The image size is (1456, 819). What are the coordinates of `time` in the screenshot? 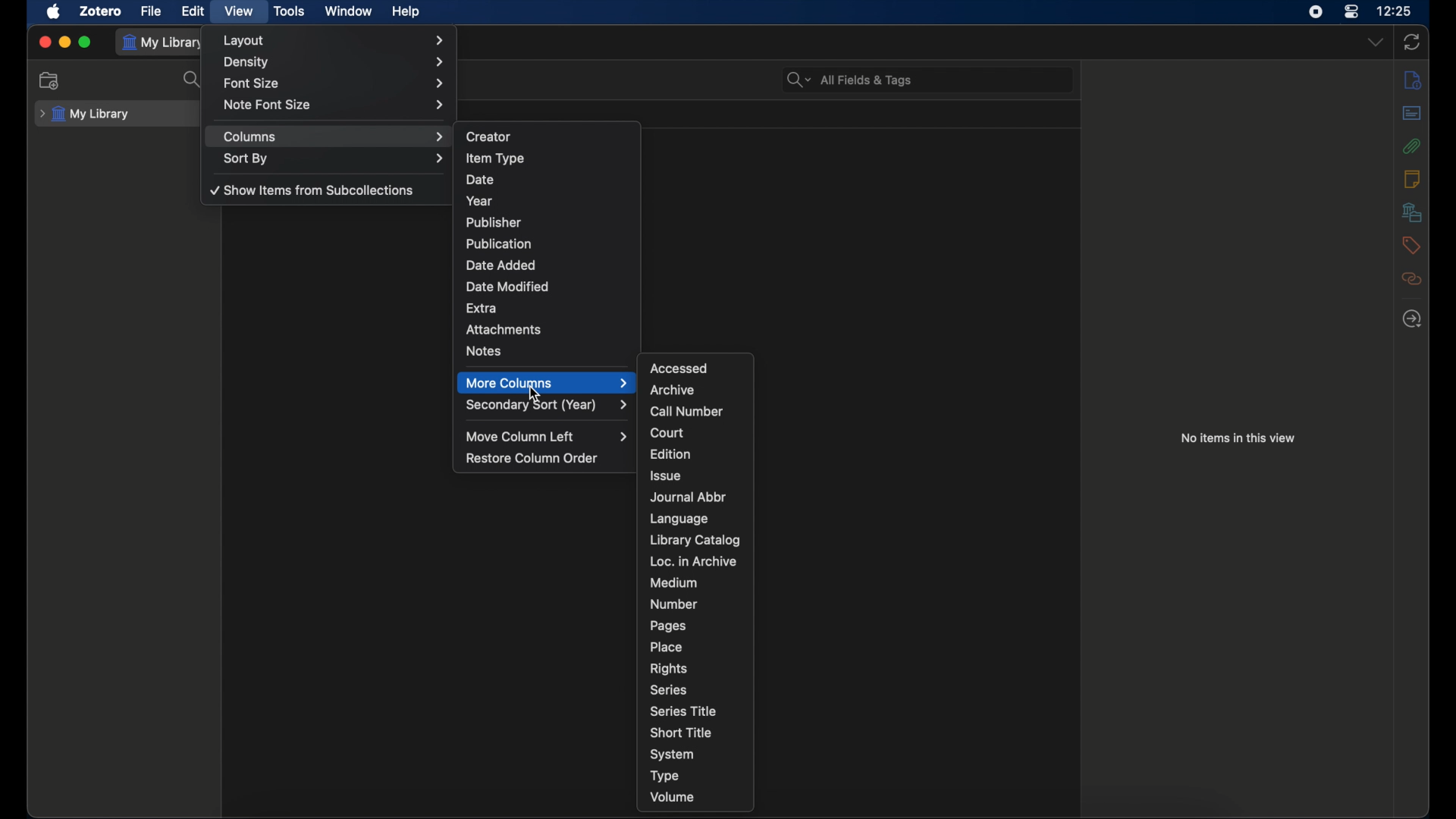 It's located at (1395, 11).